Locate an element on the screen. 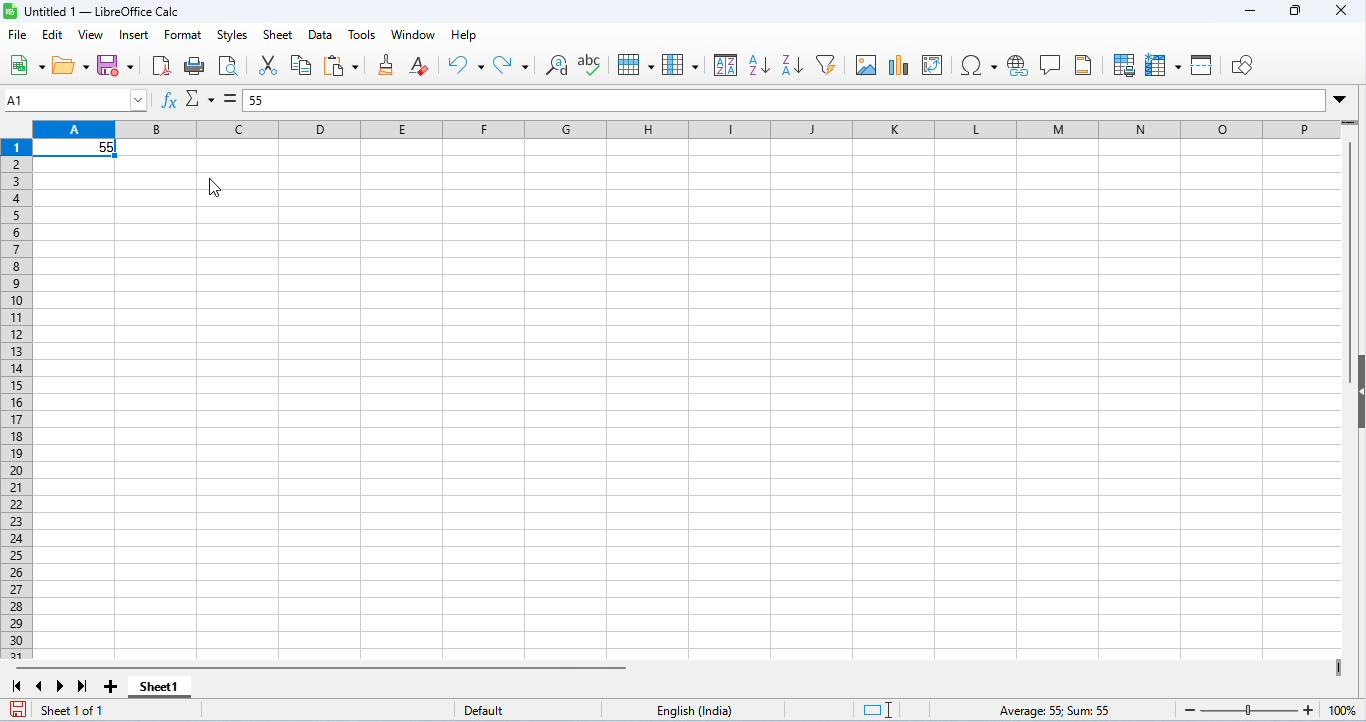 Image resolution: width=1366 pixels, height=722 pixels. insert image is located at coordinates (867, 66).